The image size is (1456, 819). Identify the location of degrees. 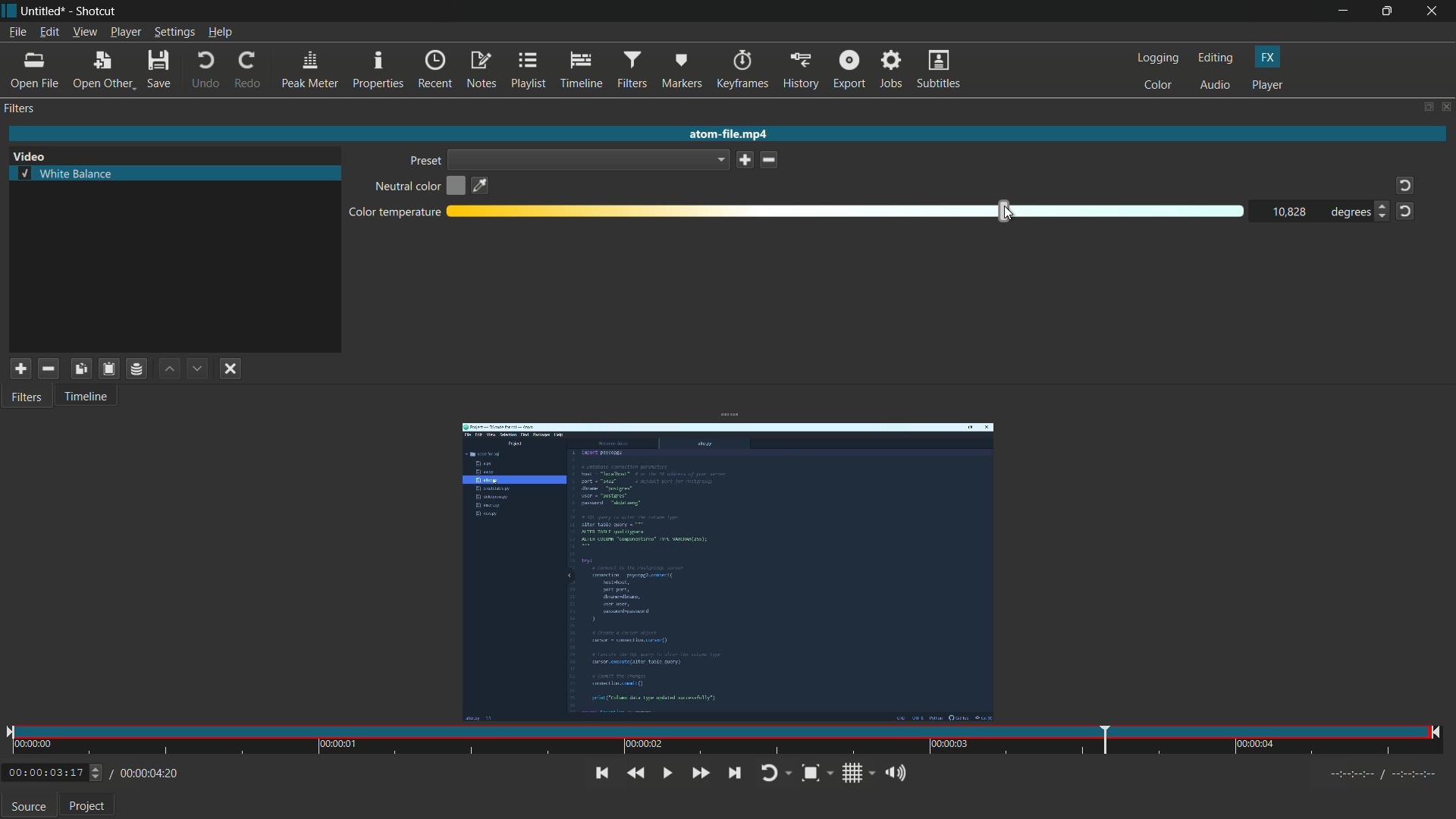
(1346, 212).